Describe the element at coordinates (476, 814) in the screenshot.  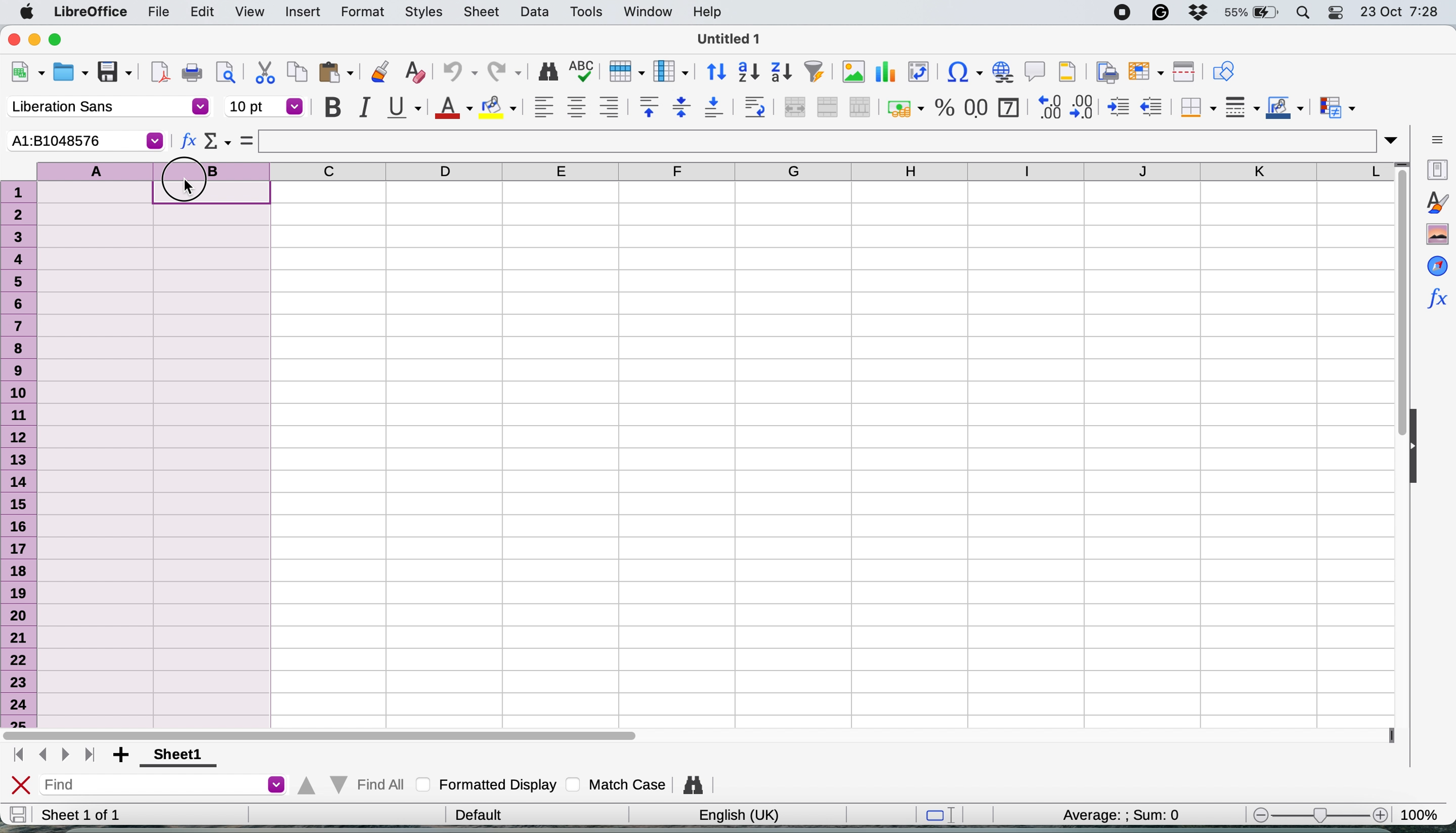
I see `default` at that location.